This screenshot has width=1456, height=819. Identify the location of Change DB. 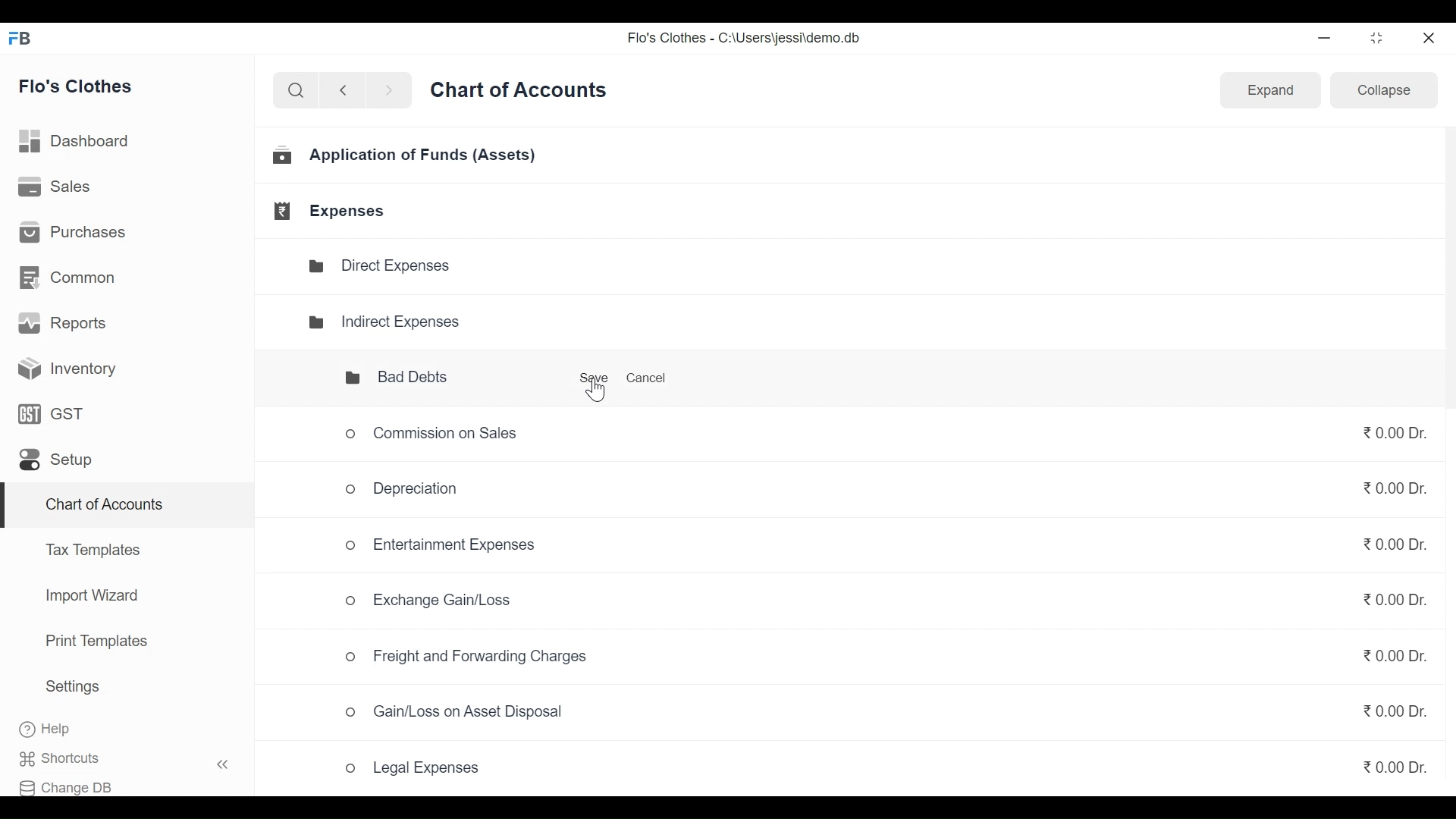
(74, 784).